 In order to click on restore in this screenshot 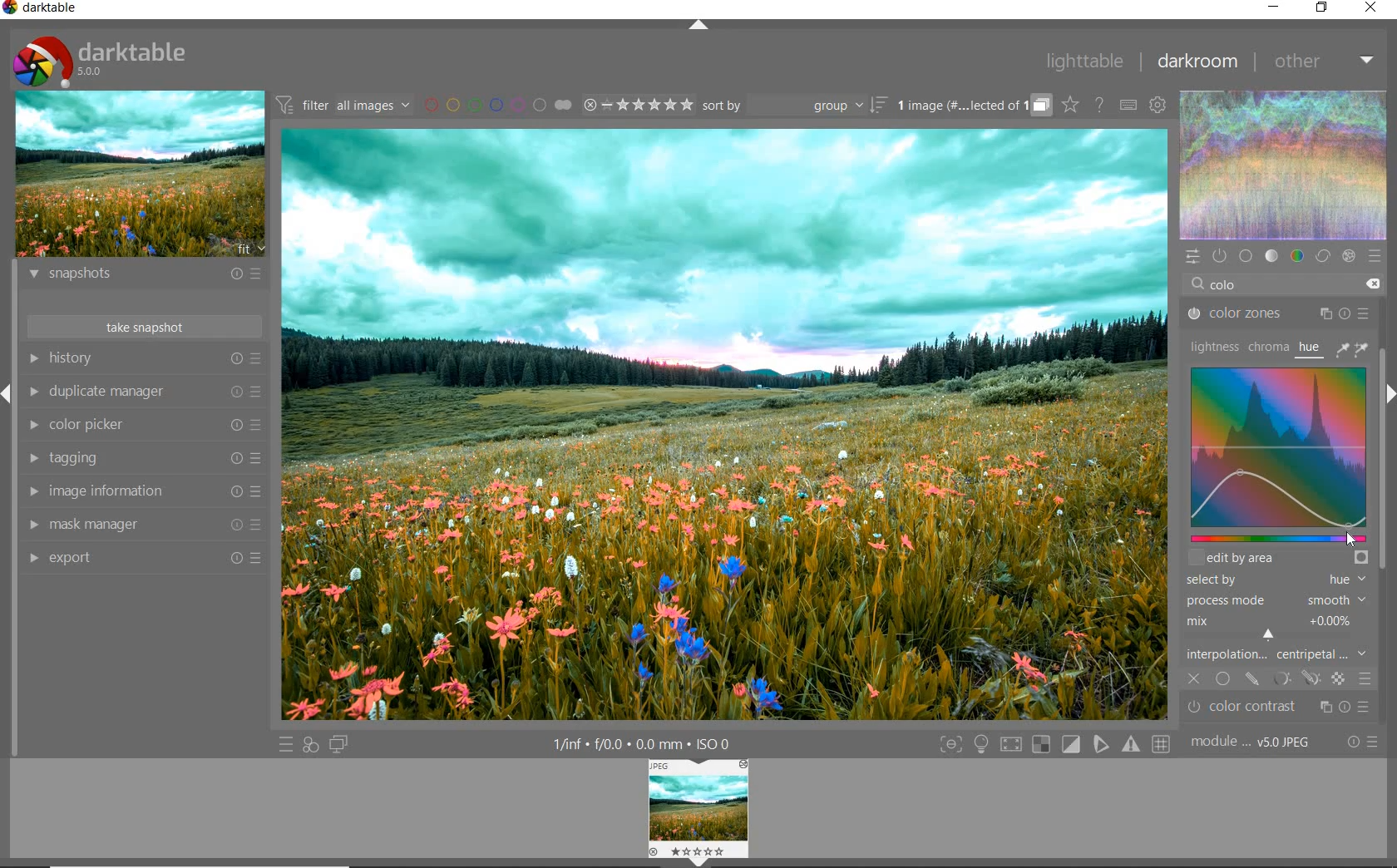, I will do `click(1324, 8)`.